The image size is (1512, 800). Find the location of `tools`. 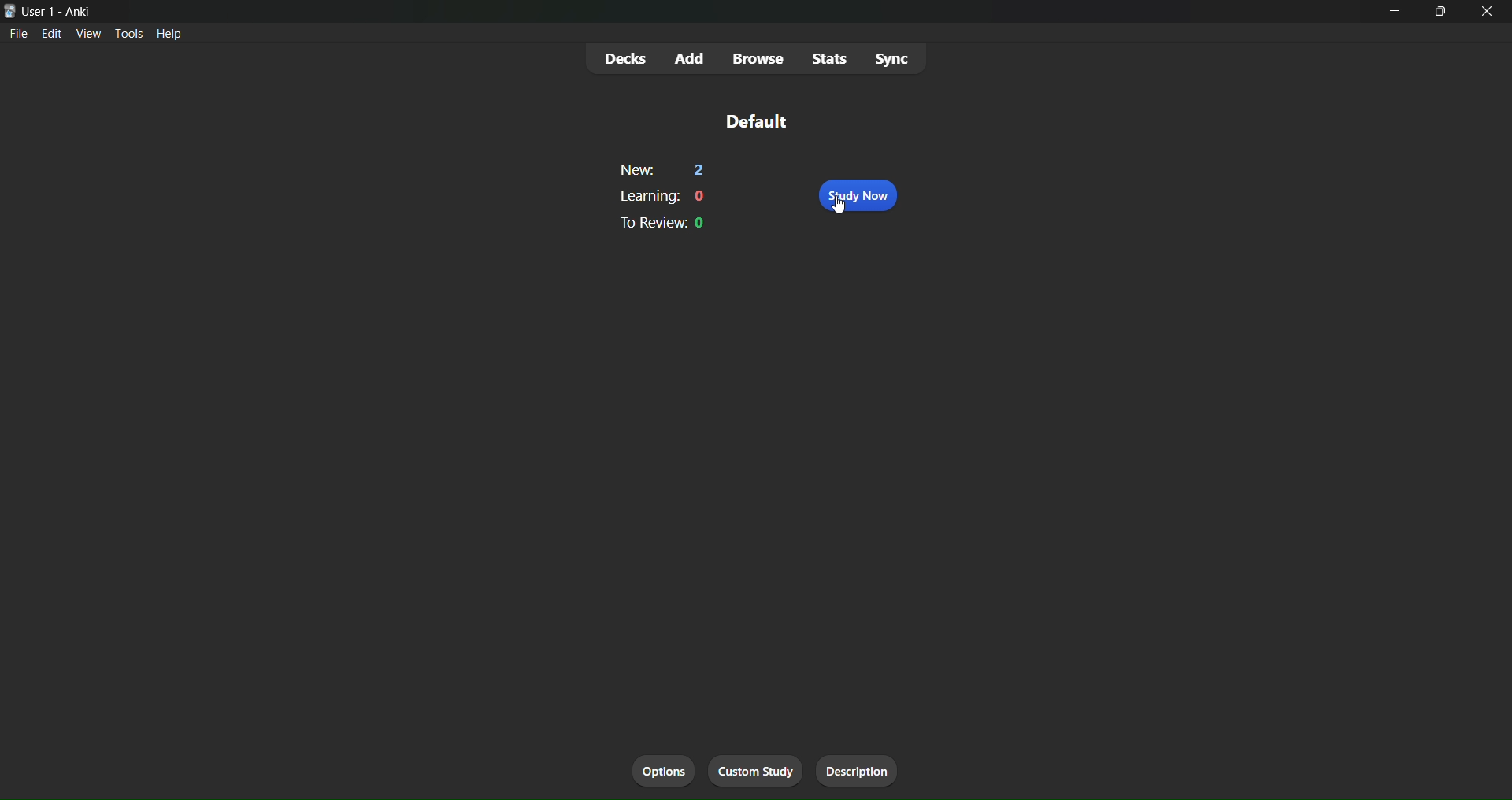

tools is located at coordinates (130, 31).